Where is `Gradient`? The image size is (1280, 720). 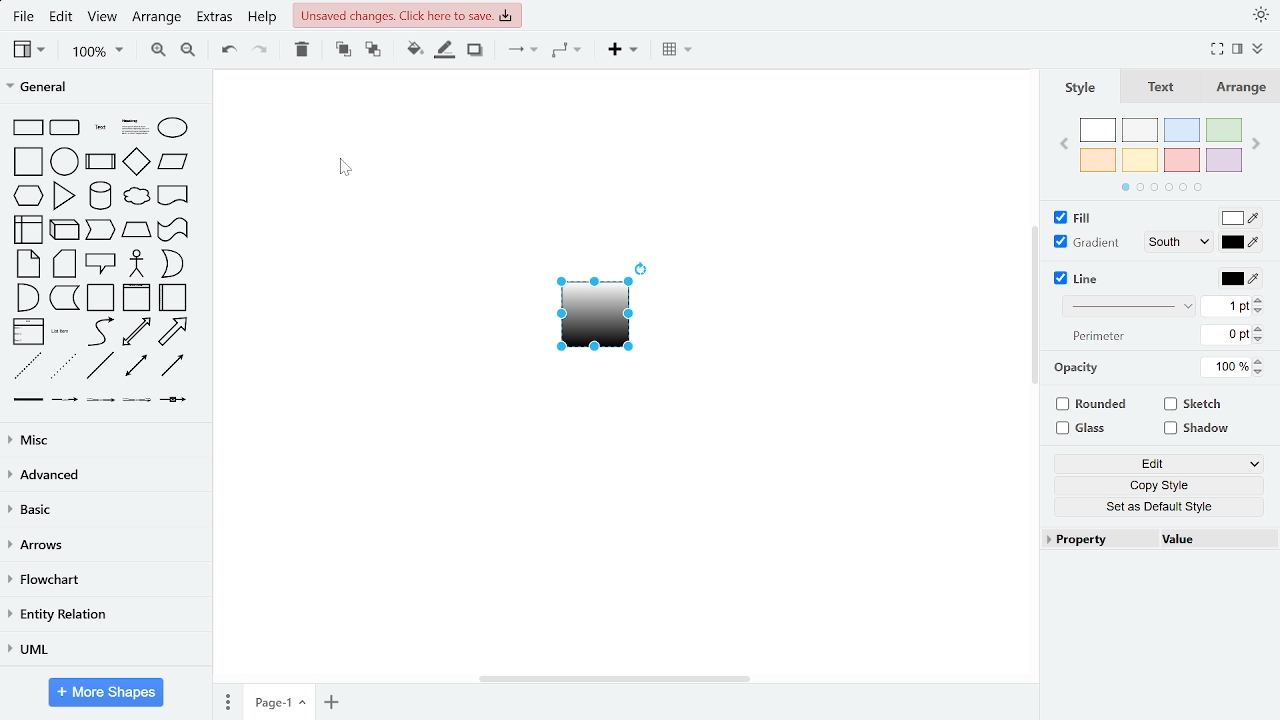
Gradient is located at coordinates (1087, 243).